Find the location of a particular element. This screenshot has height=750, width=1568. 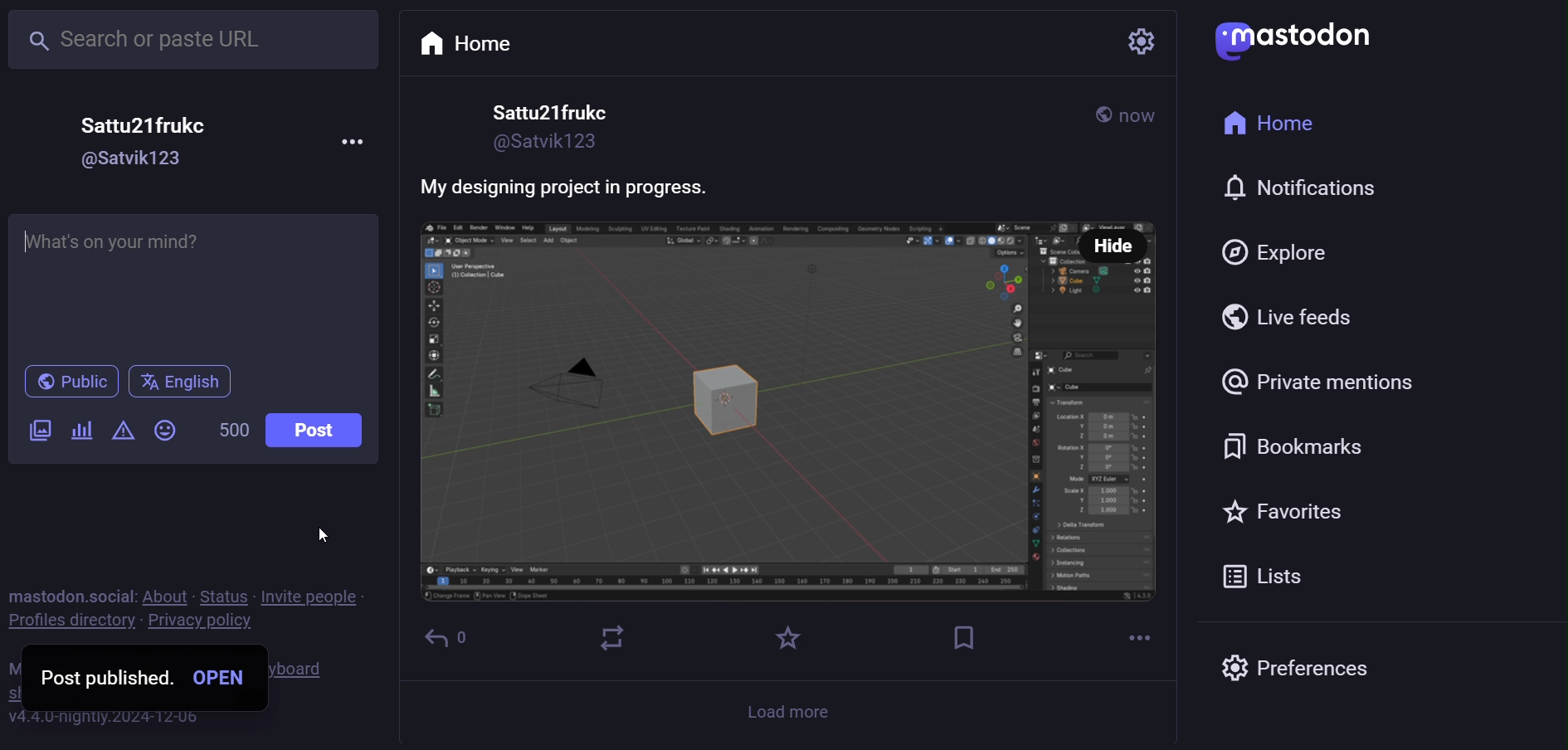

version is located at coordinates (100, 721).